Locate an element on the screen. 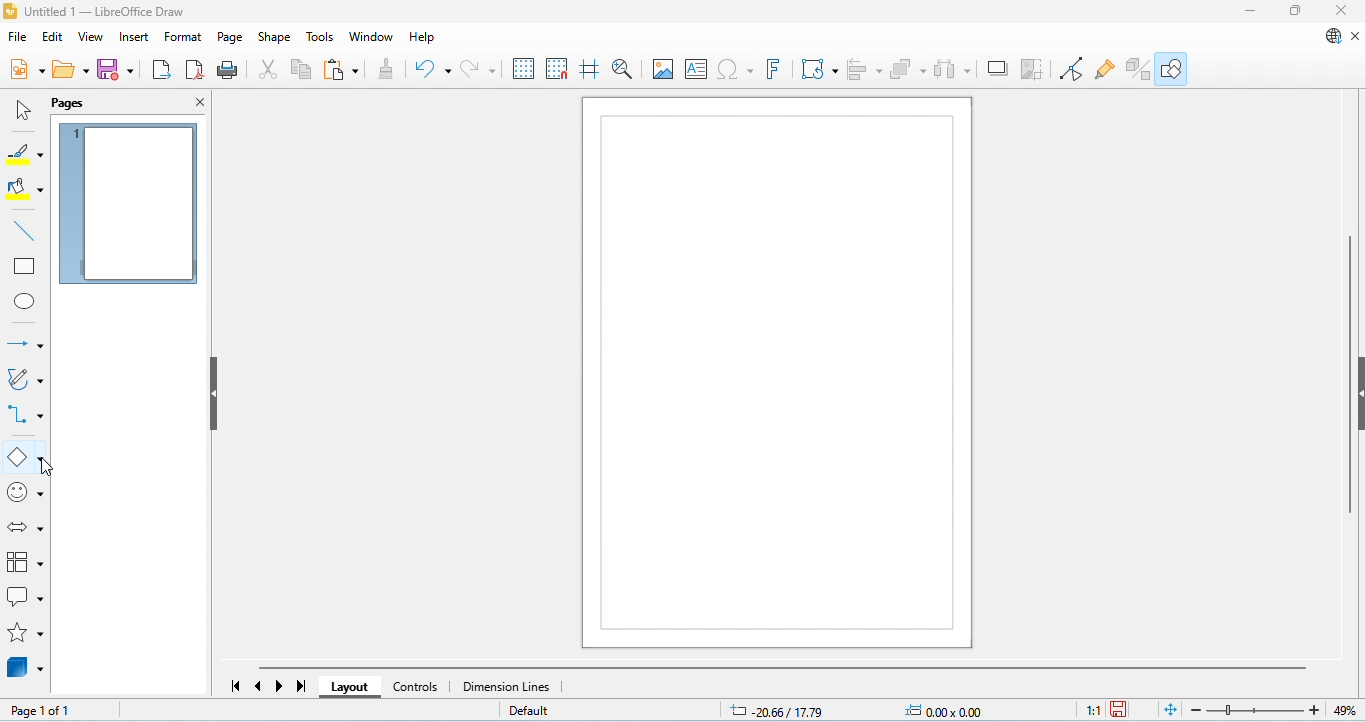  first page is located at coordinates (237, 684).